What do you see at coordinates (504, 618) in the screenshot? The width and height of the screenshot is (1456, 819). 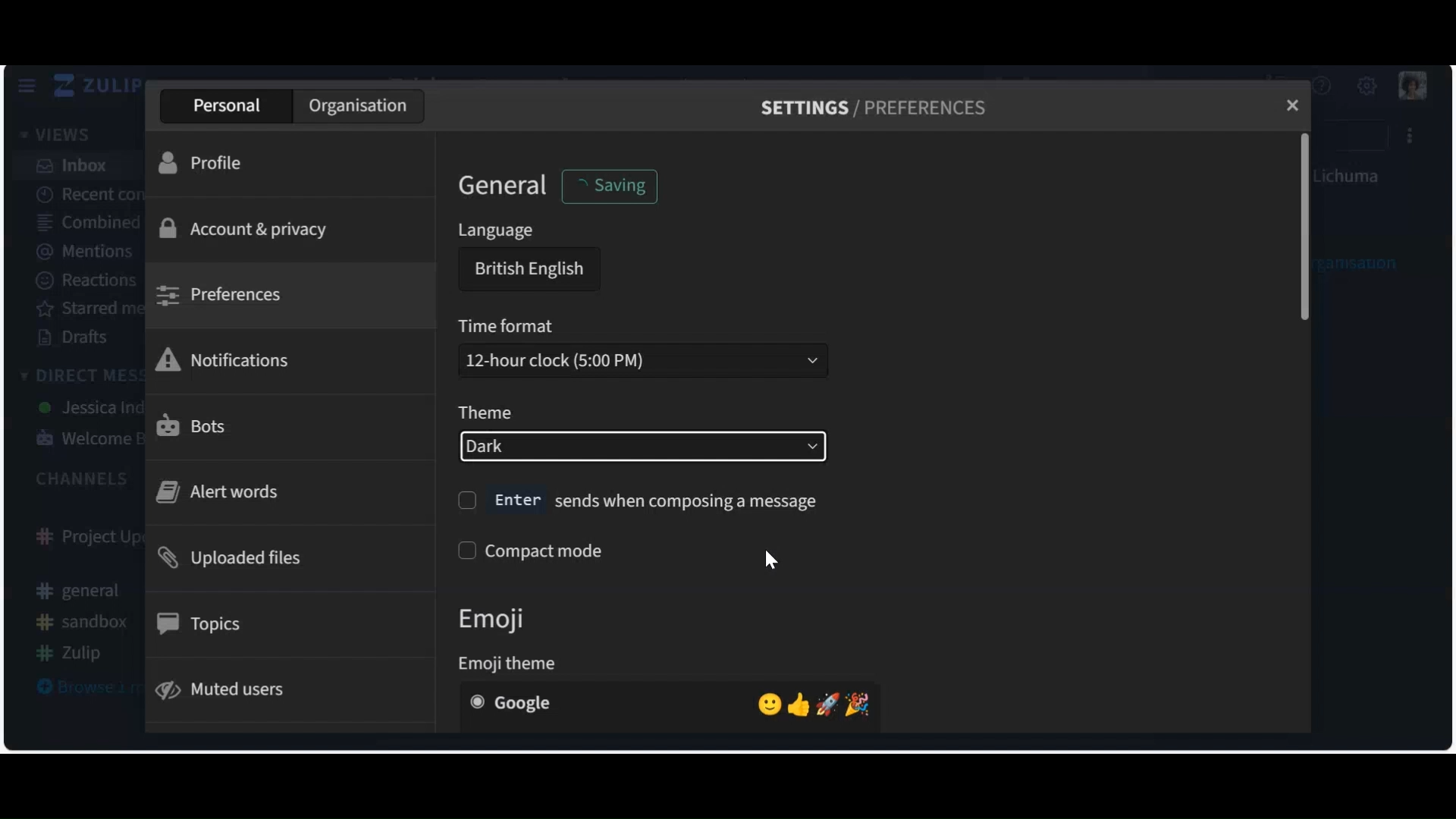 I see `Emoji` at bounding box center [504, 618].